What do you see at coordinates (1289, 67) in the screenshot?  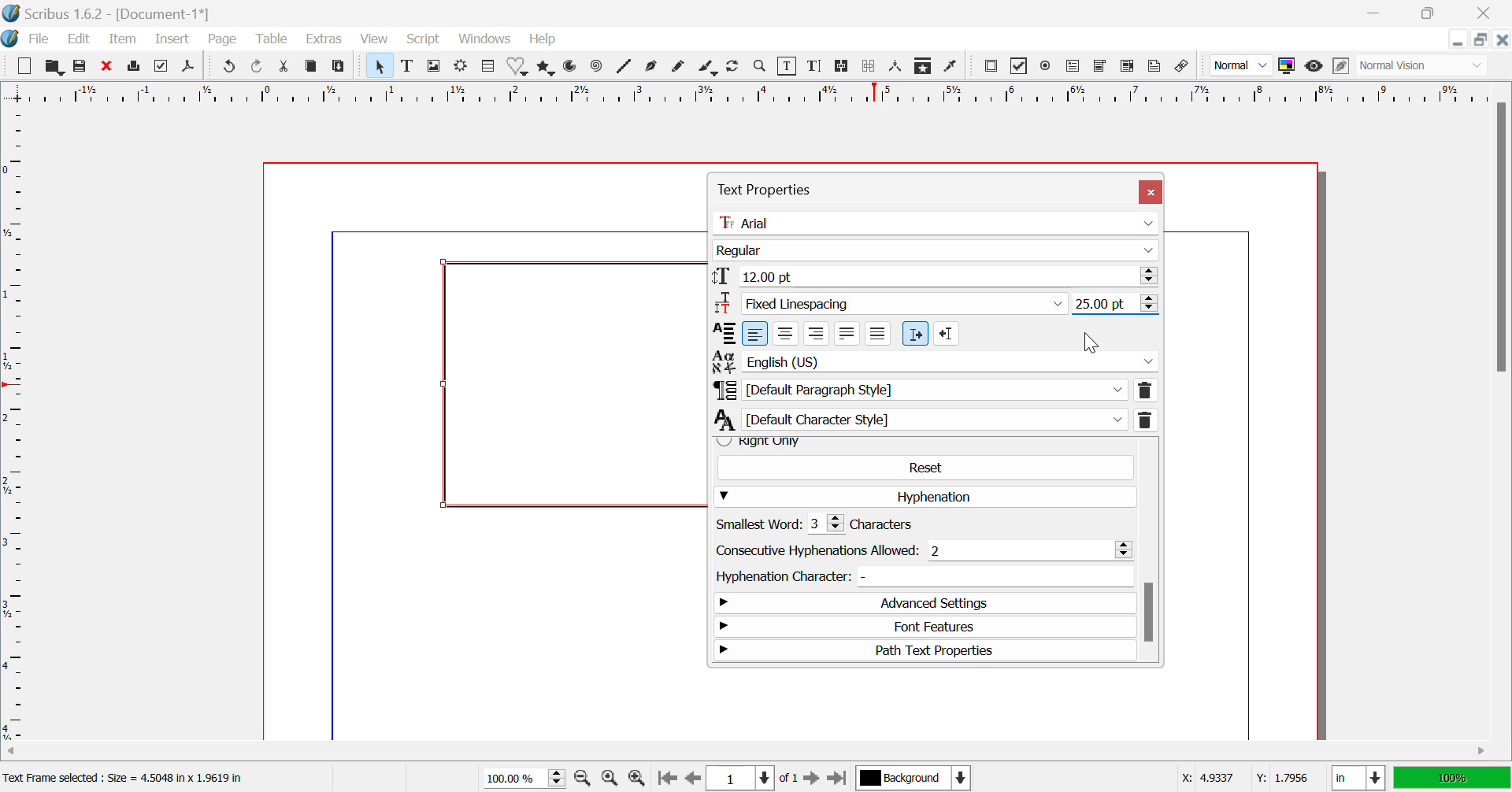 I see `Toggle Color Display` at bounding box center [1289, 67].